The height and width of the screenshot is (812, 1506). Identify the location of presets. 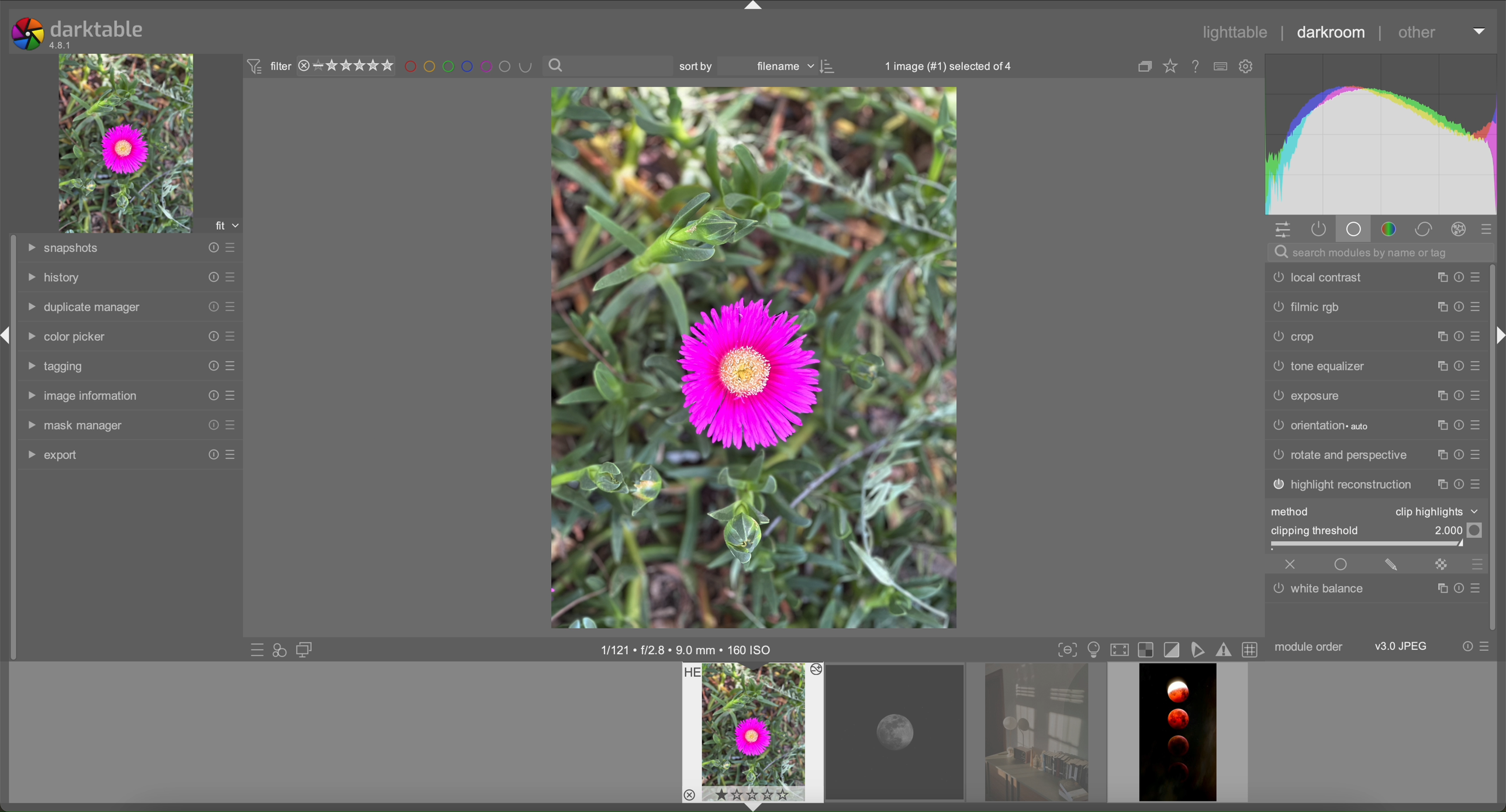
(1488, 647).